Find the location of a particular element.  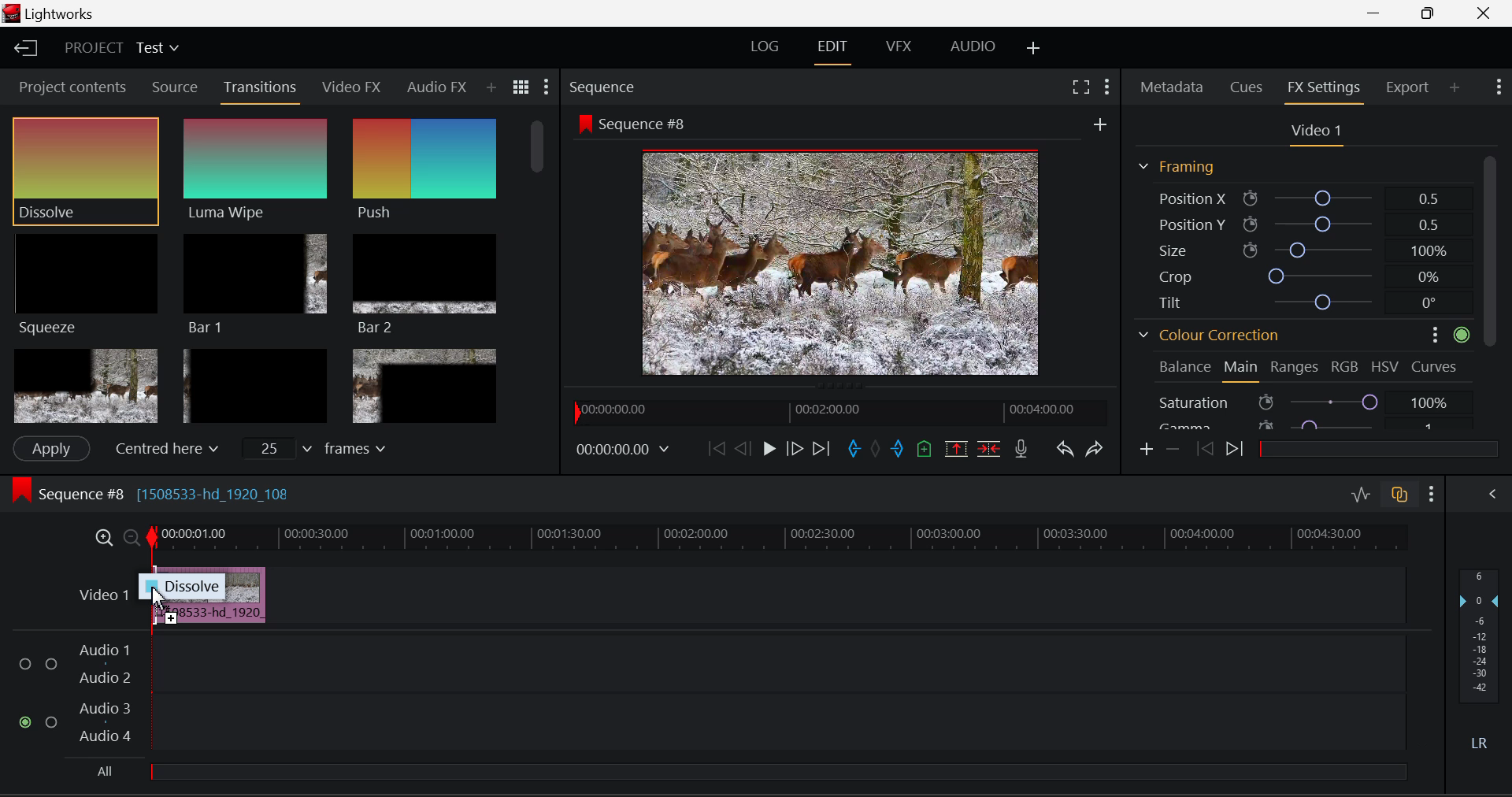

Full Screen is located at coordinates (1081, 88).